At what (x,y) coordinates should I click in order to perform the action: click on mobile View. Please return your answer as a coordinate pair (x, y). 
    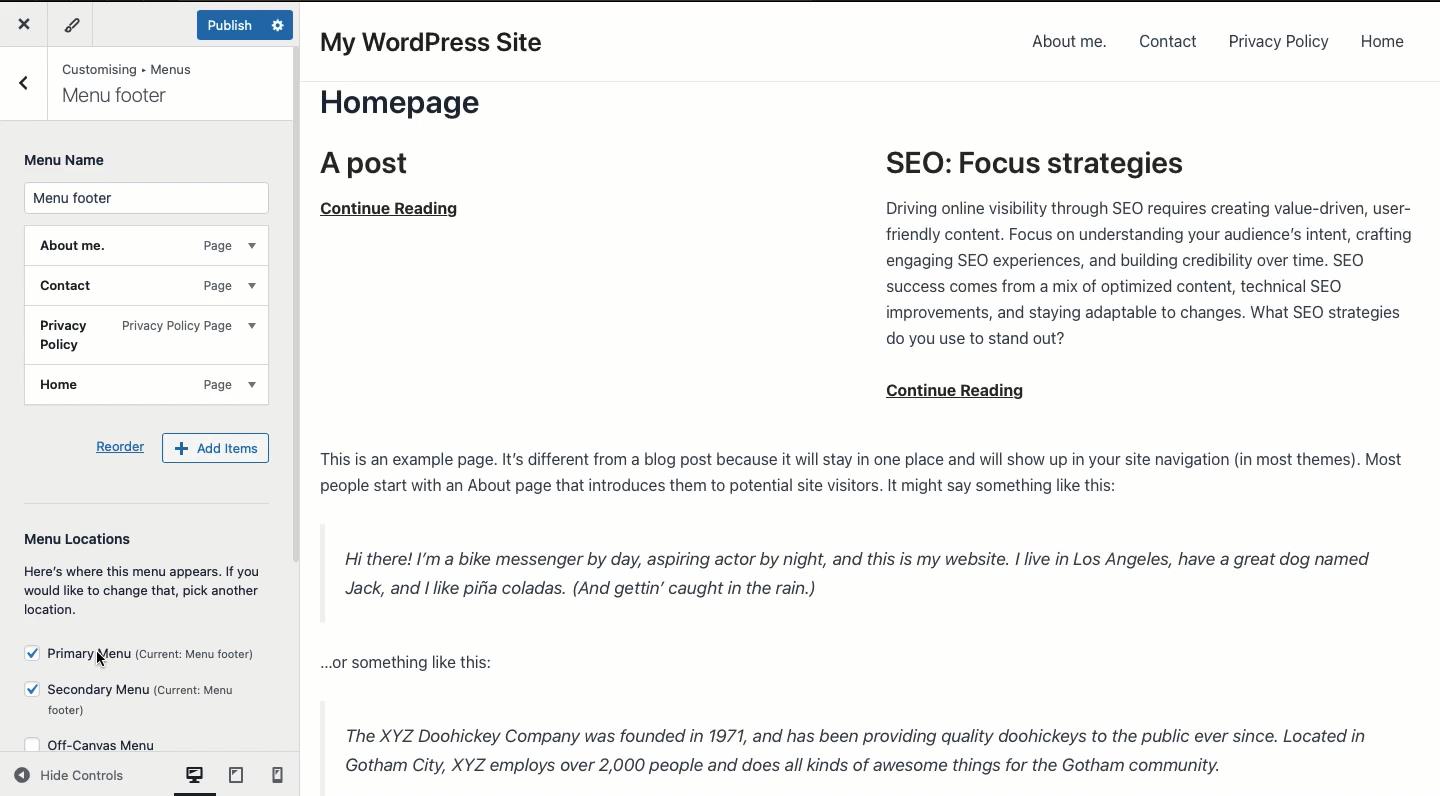
    Looking at the image, I should click on (273, 777).